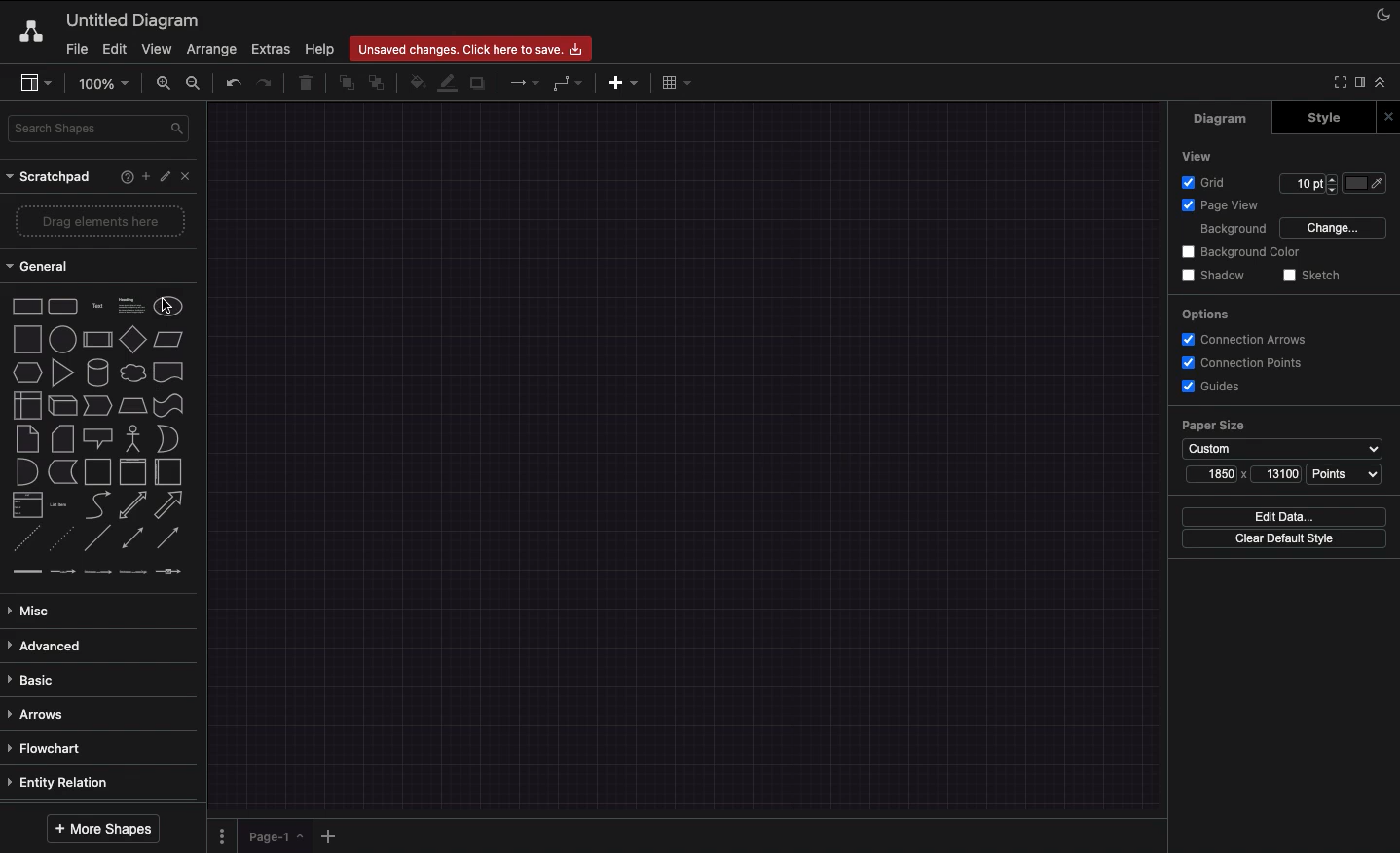  Describe the element at coordinates (1384, 13) in the screenshot. I see `Night mode ` at that location.